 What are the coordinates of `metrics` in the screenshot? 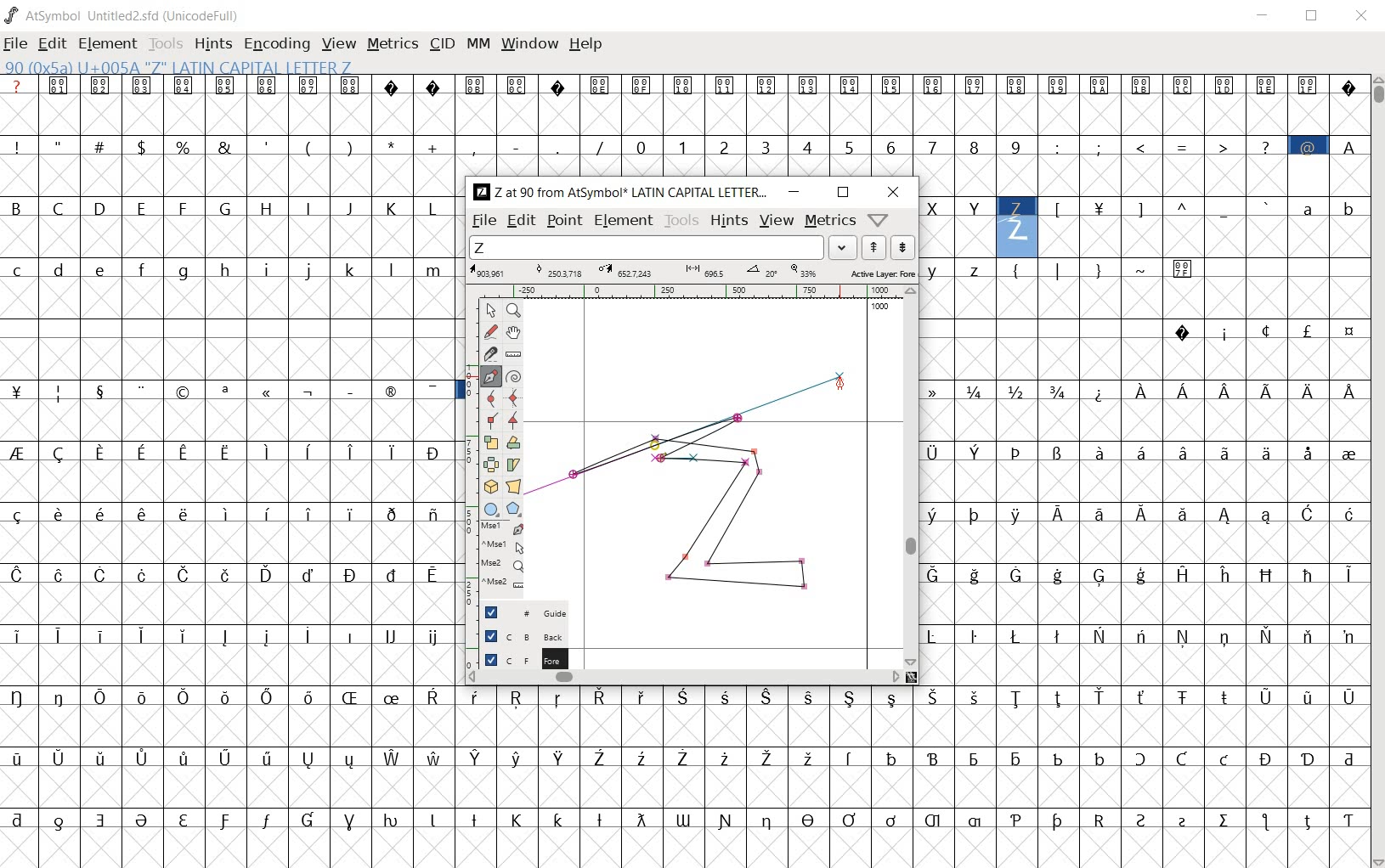 It's located at (830, 222).